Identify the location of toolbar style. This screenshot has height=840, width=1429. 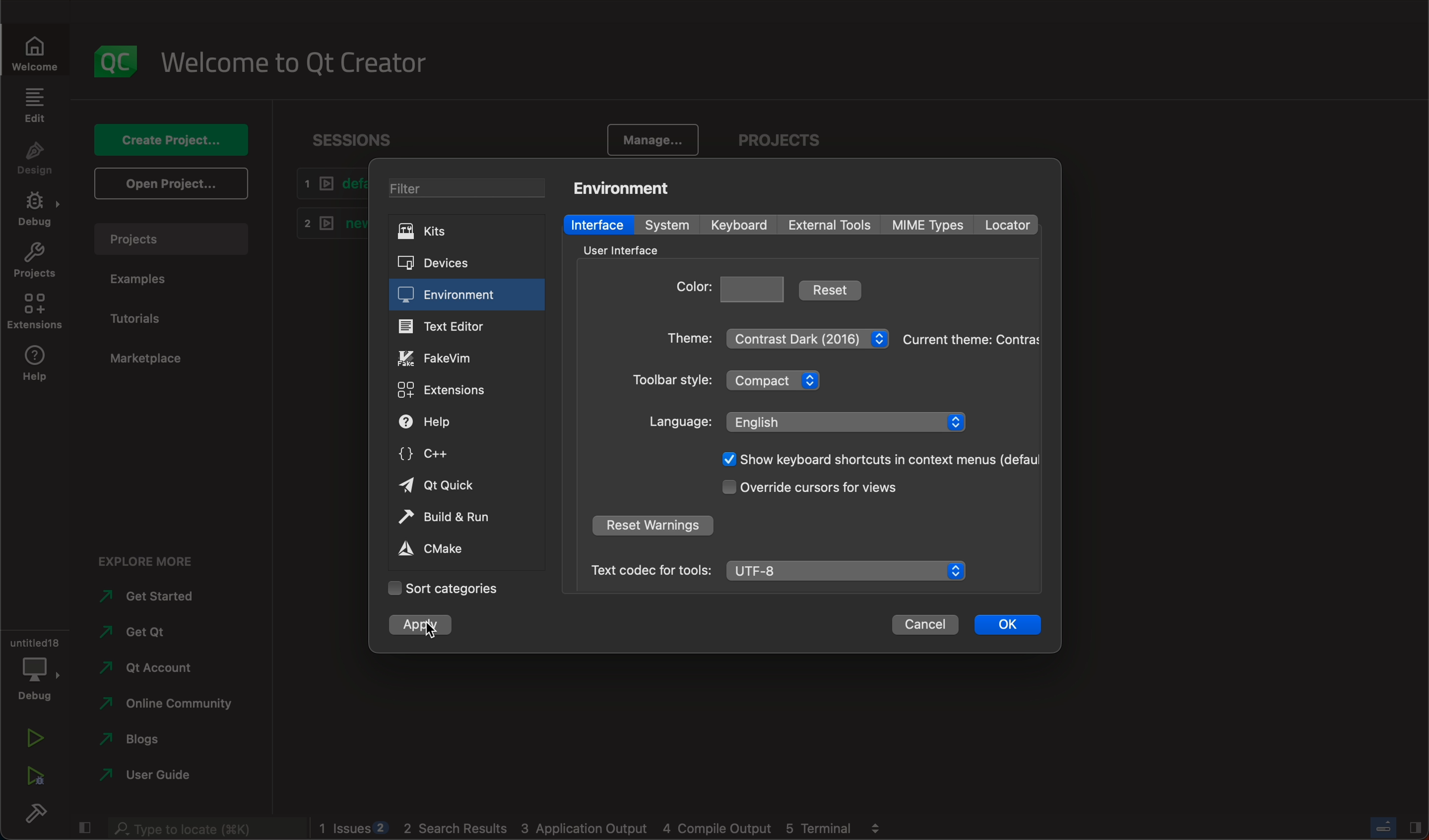
(736, 383).